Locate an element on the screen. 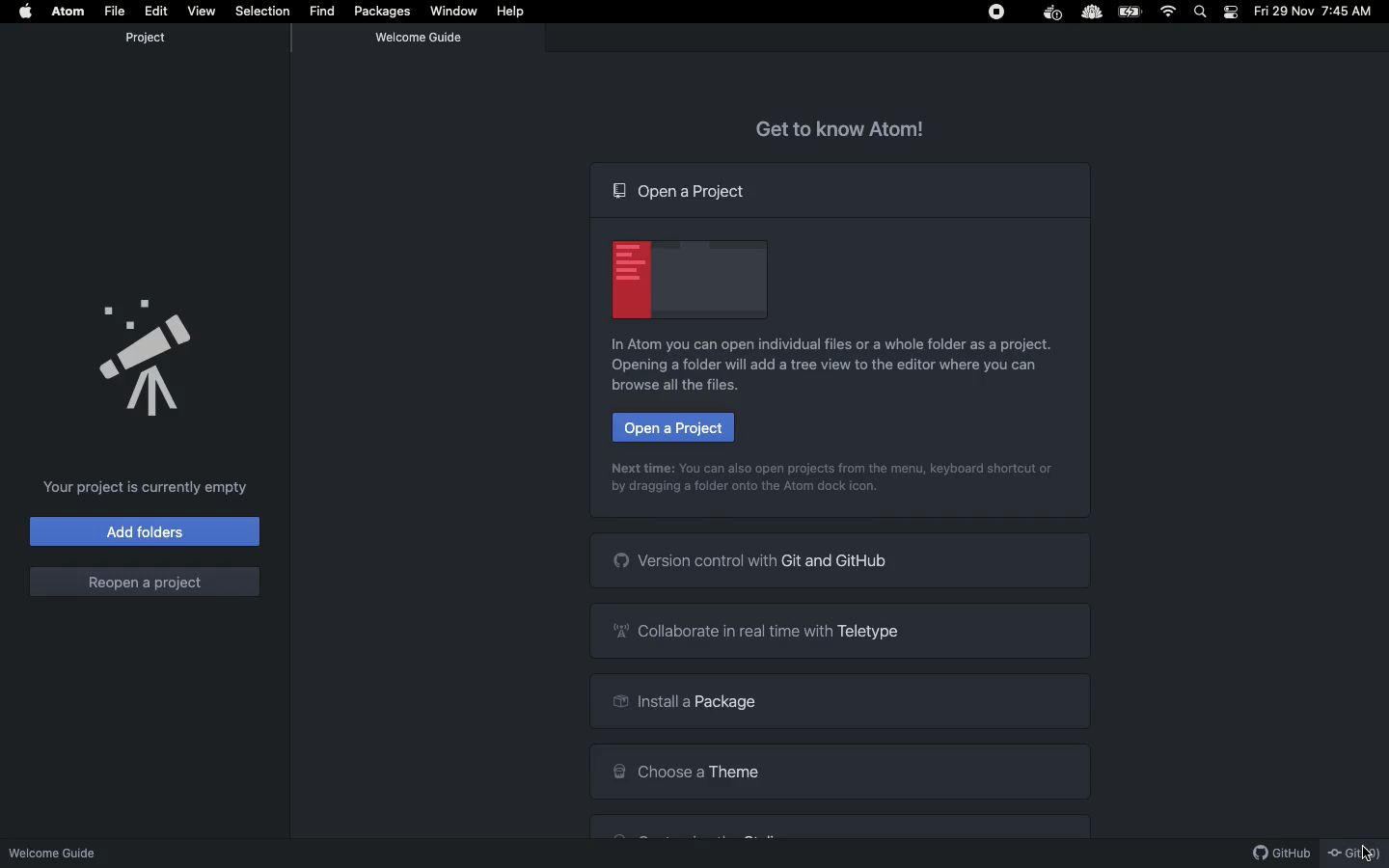 This screenshot has height=868, width=1389. Emblem is located at coordinates (688, 281).